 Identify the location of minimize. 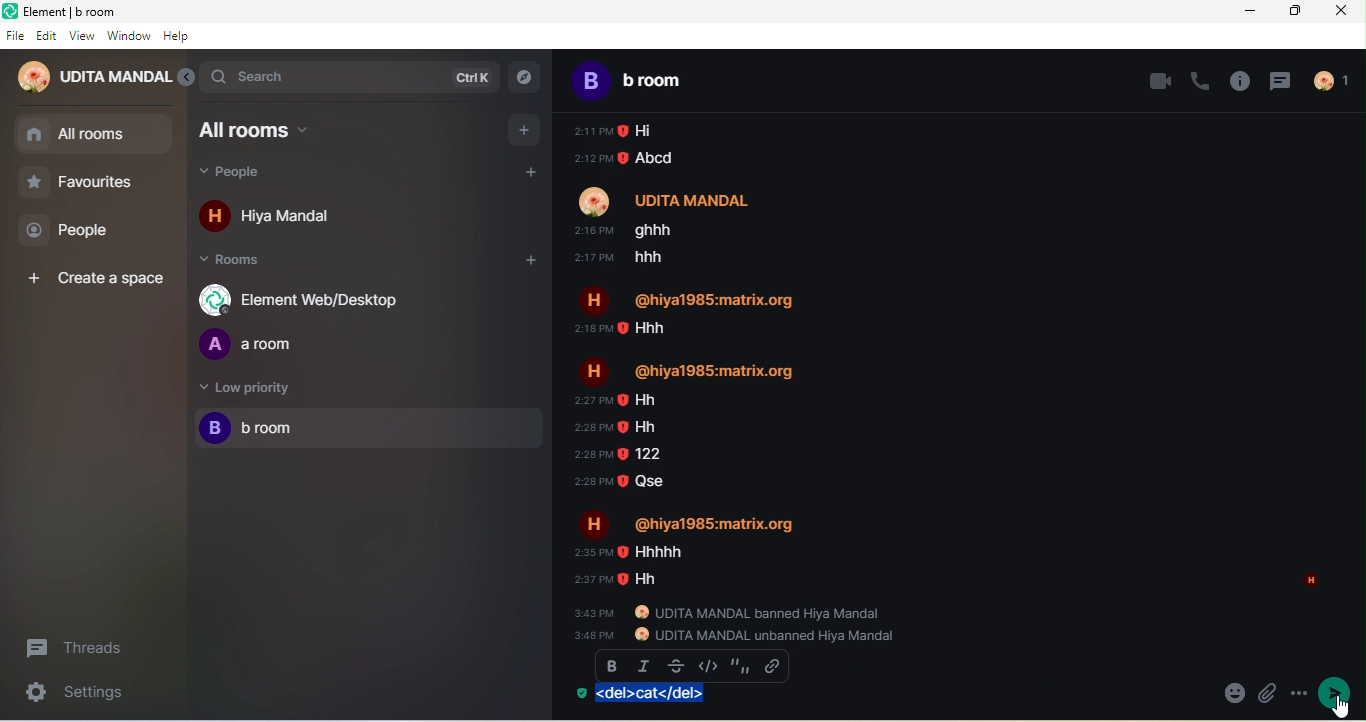
(1245, 15).